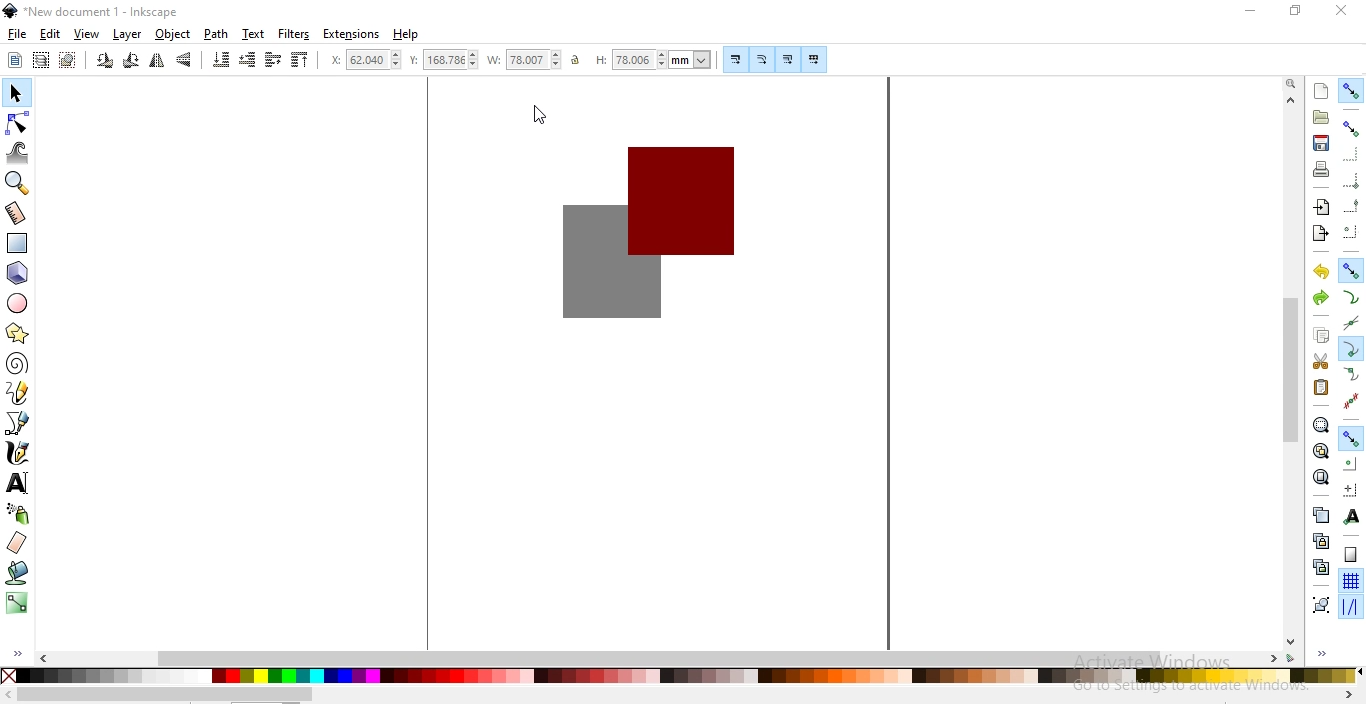  I want to click on select all objects or nodes, so click(16, 59).